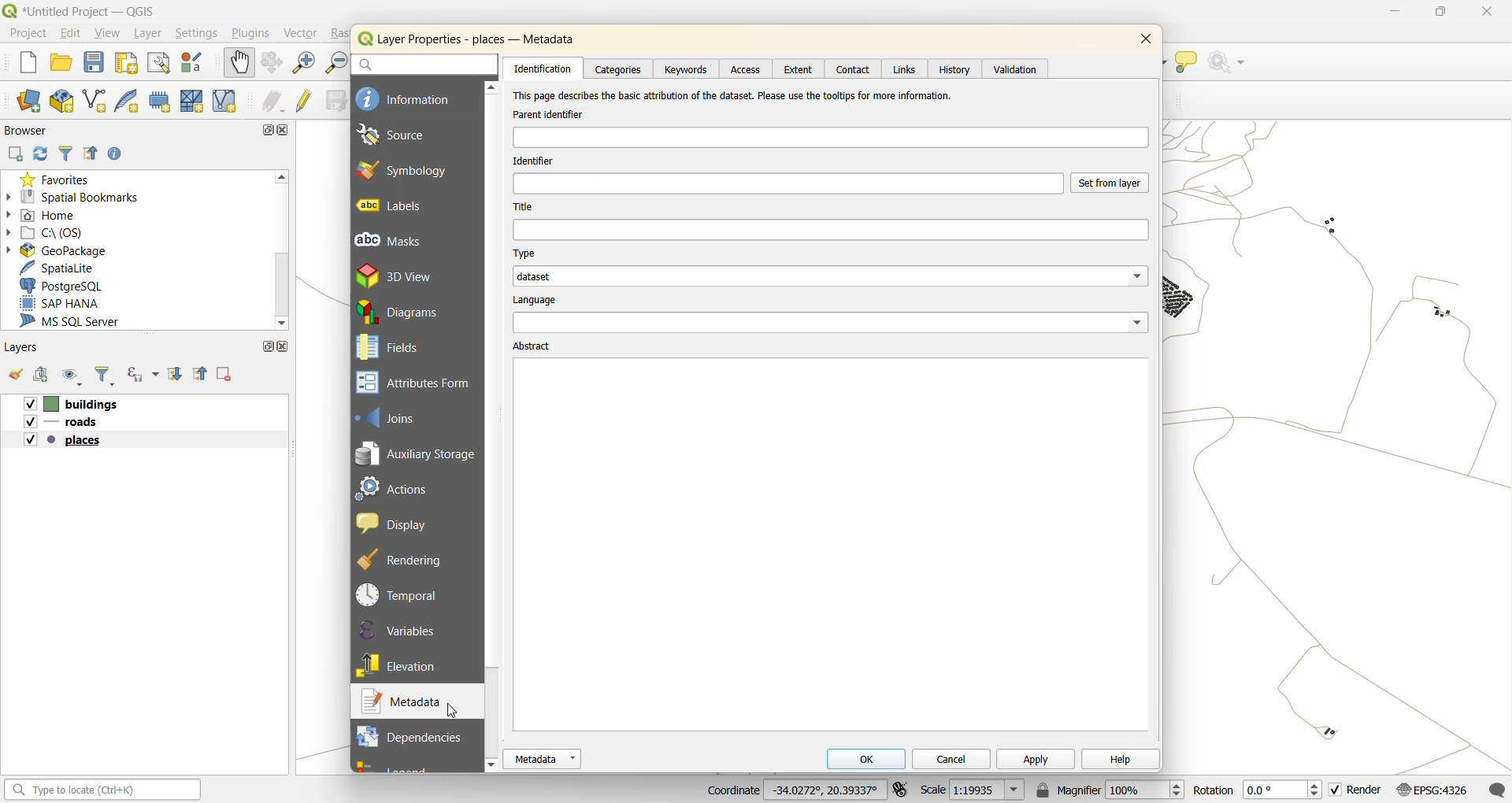 This screenshot has height=803, width=1512. What do you see at coordinates (331, 101) in the screenshot?
I see `save edits` at bounding box center [331, 101].